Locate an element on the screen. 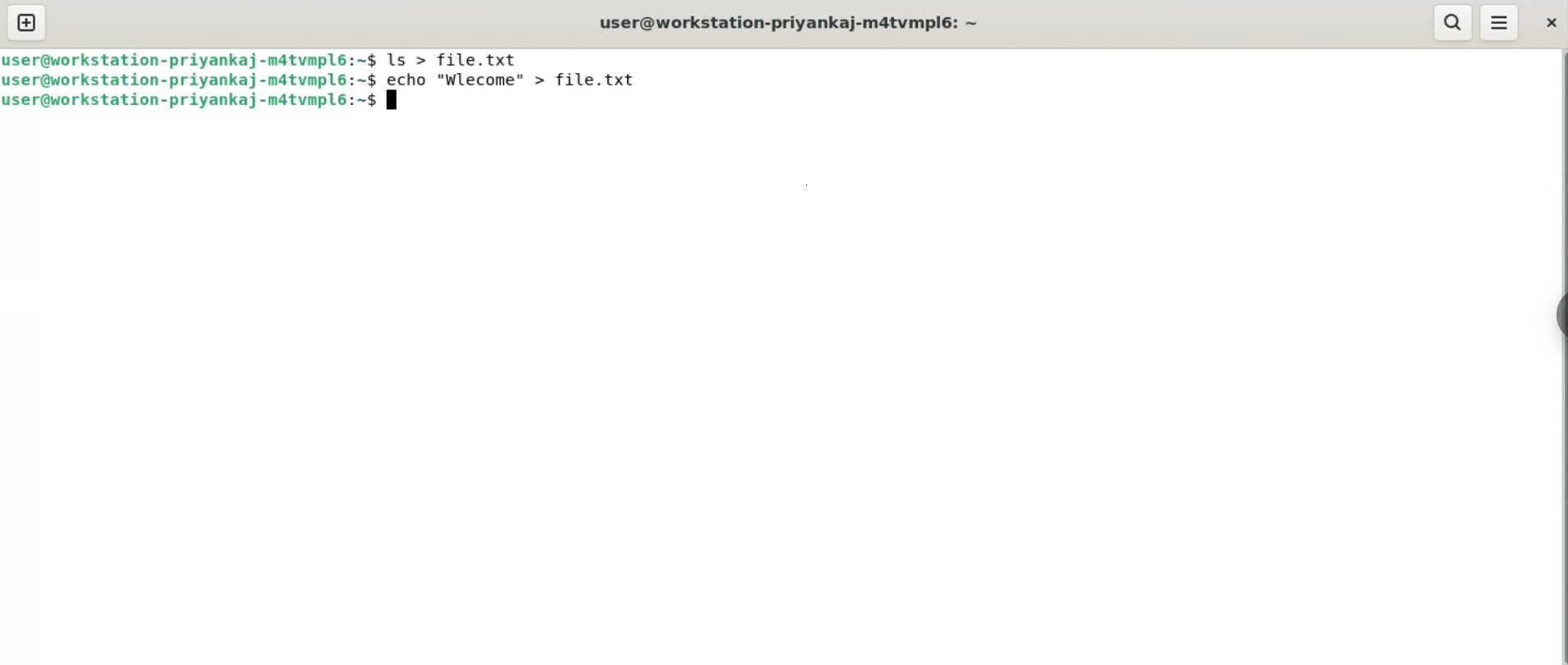 This screenshot has height=665, width=1568. close is located at coordinates (1551, 21).